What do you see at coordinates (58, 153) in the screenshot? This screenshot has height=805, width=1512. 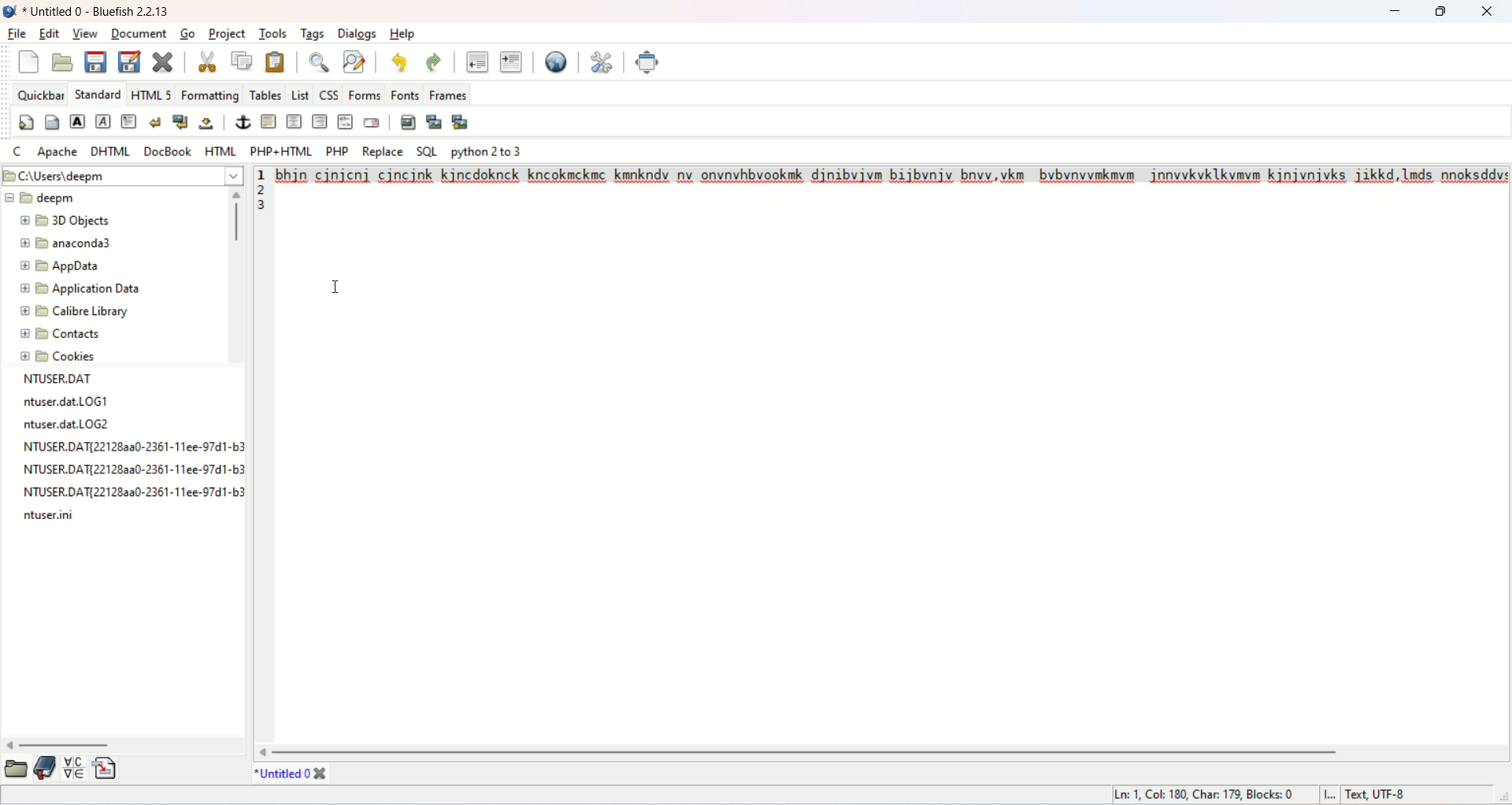 I see `APACHE` at bounding box center [58, 153].